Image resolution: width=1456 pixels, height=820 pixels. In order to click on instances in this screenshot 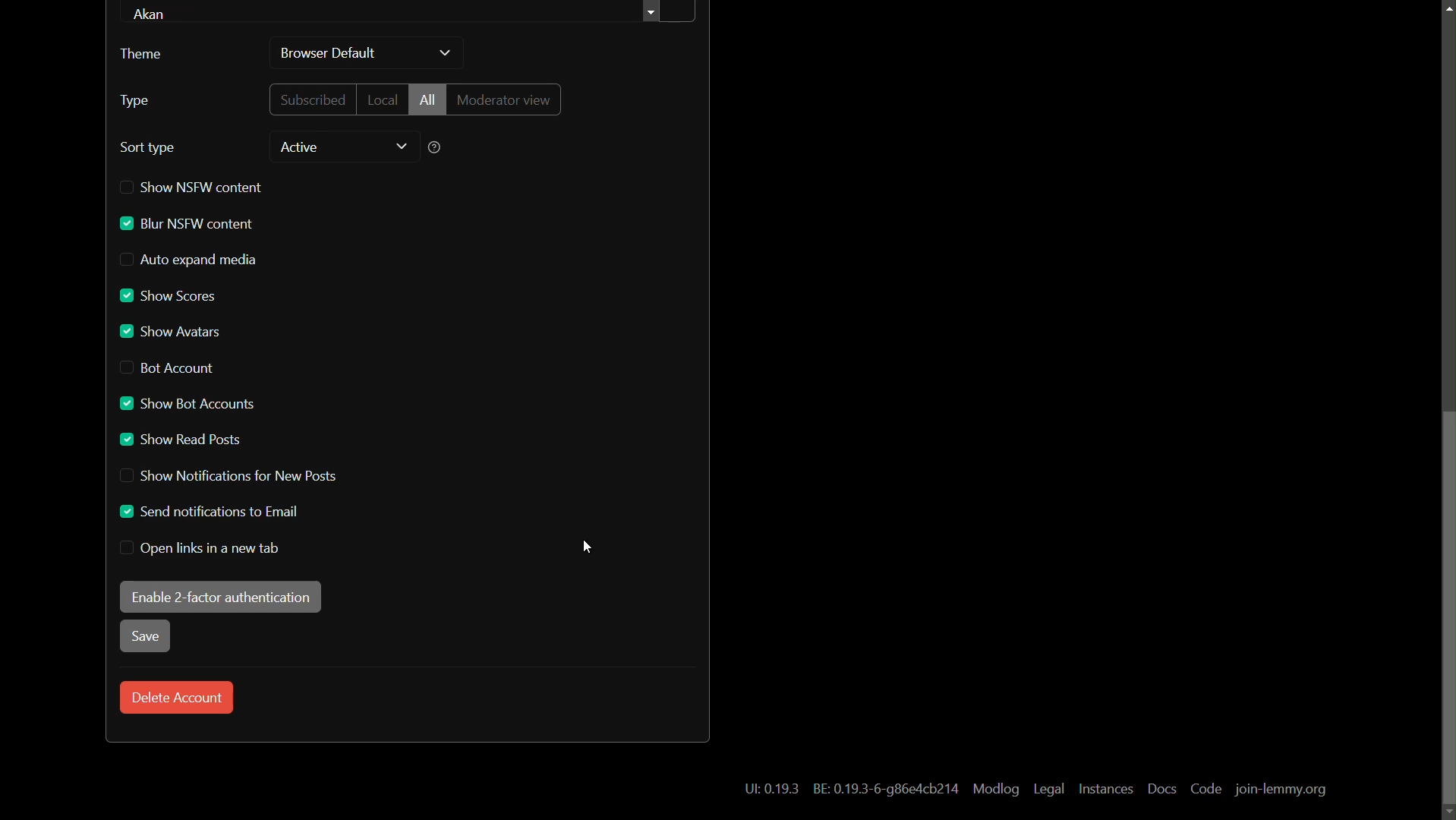, I will do `click(1106, 790)`.